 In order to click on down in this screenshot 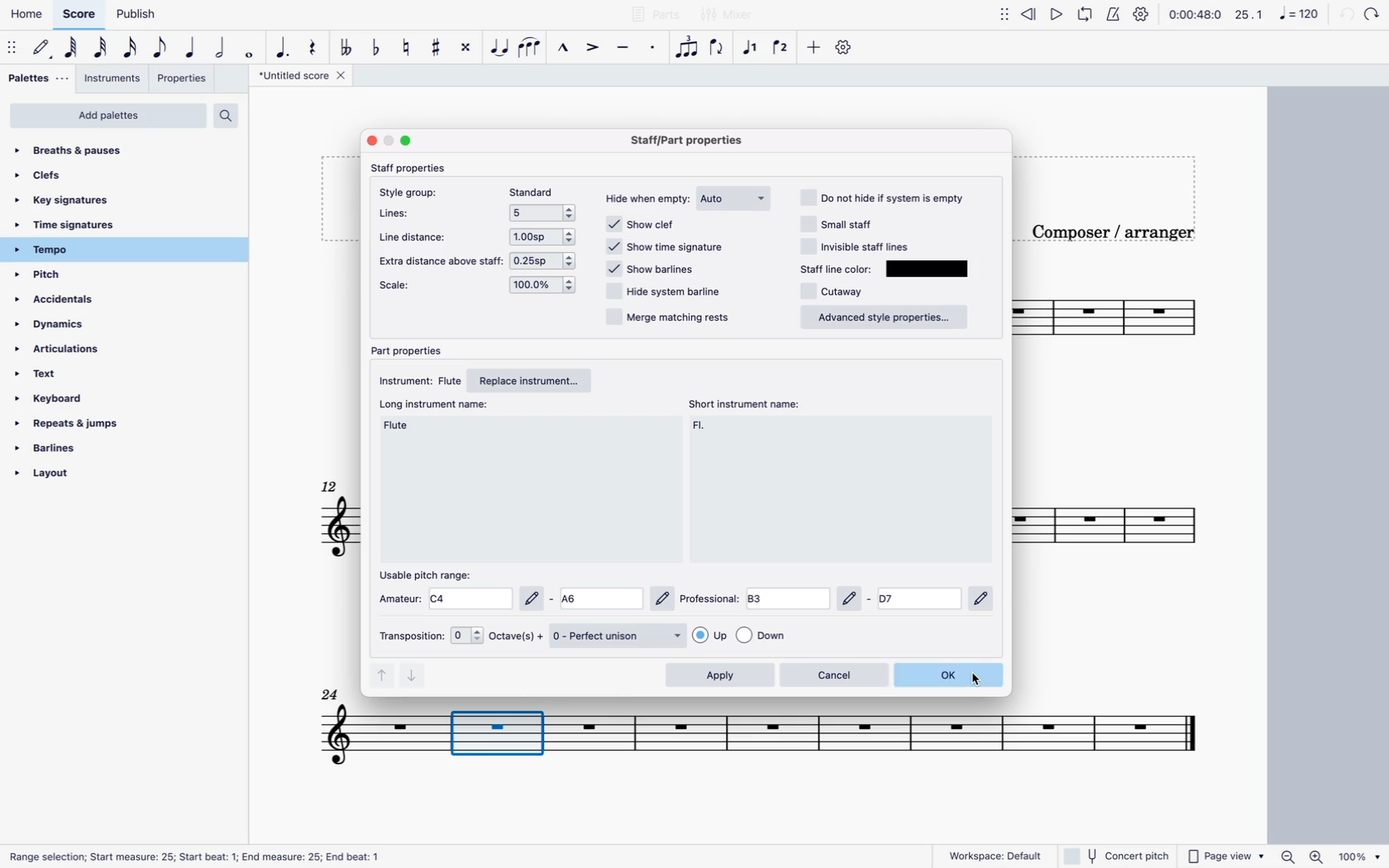, I will do `click(415, 675)`.